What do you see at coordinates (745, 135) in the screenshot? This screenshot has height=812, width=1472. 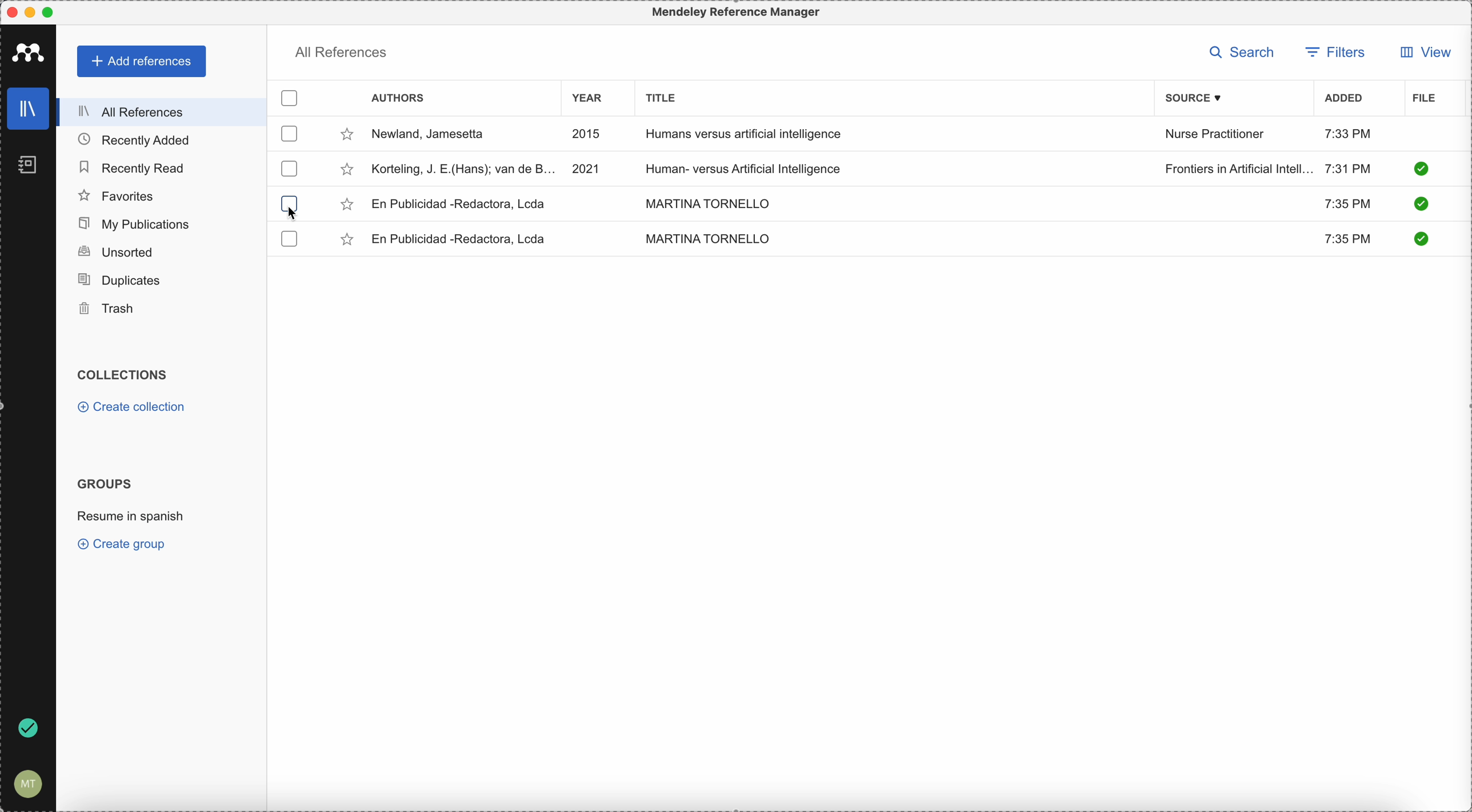 I see `Humans versus artificial intelligence` at bounding box center [745, 135].